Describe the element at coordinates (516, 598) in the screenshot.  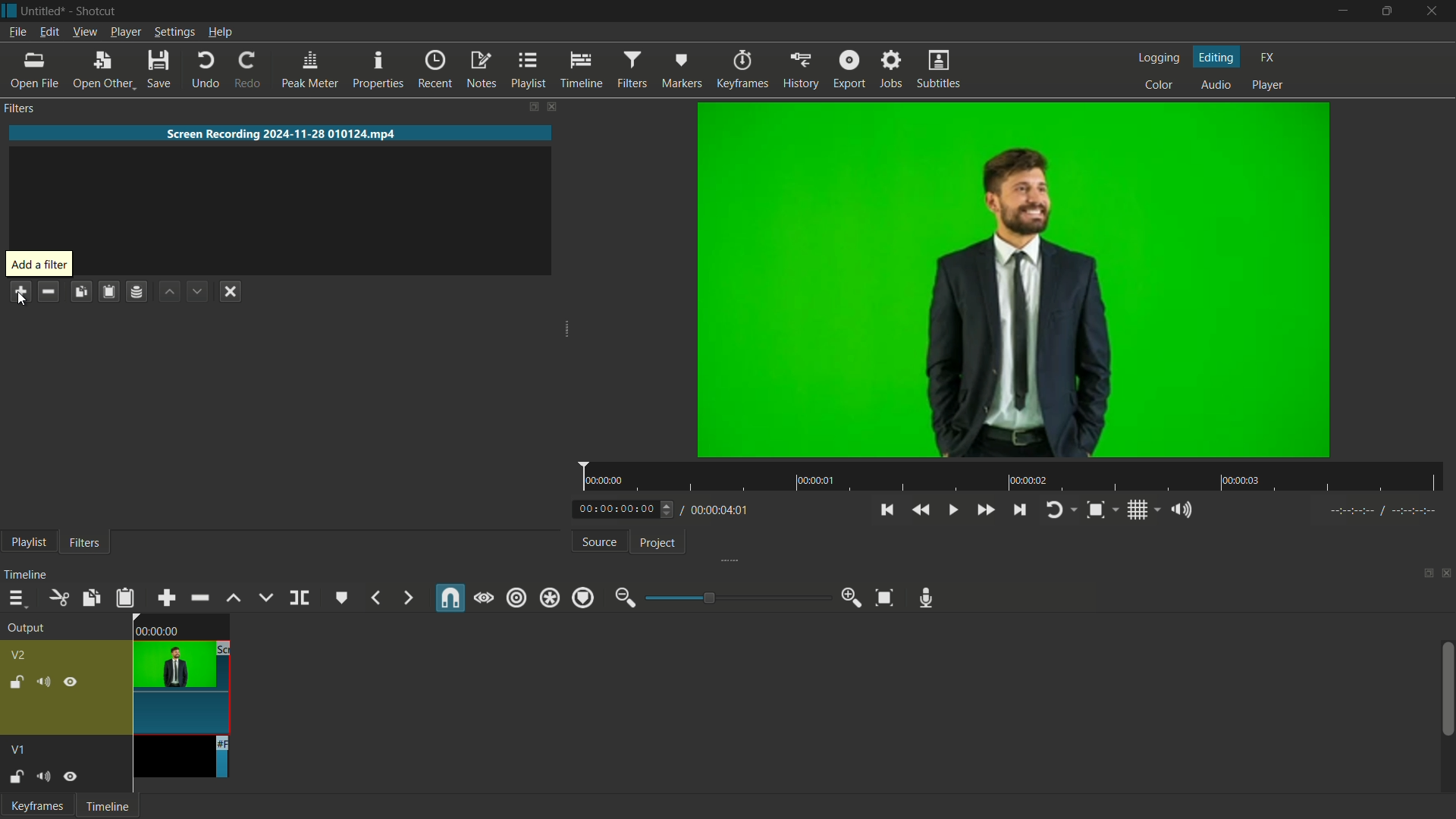
I see `ripple` at that location.